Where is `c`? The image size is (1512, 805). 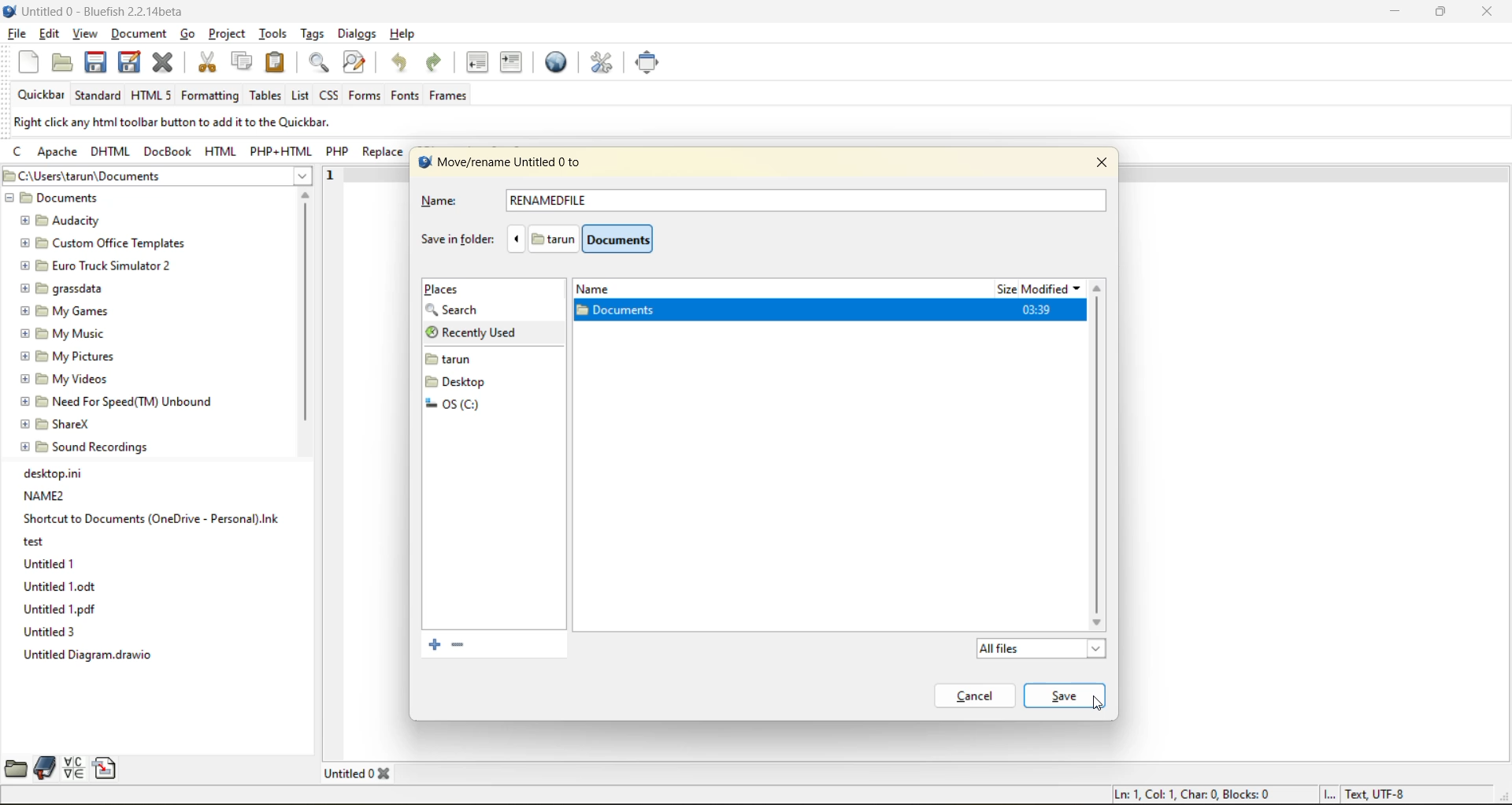 c is located at coordinates (17, 154).